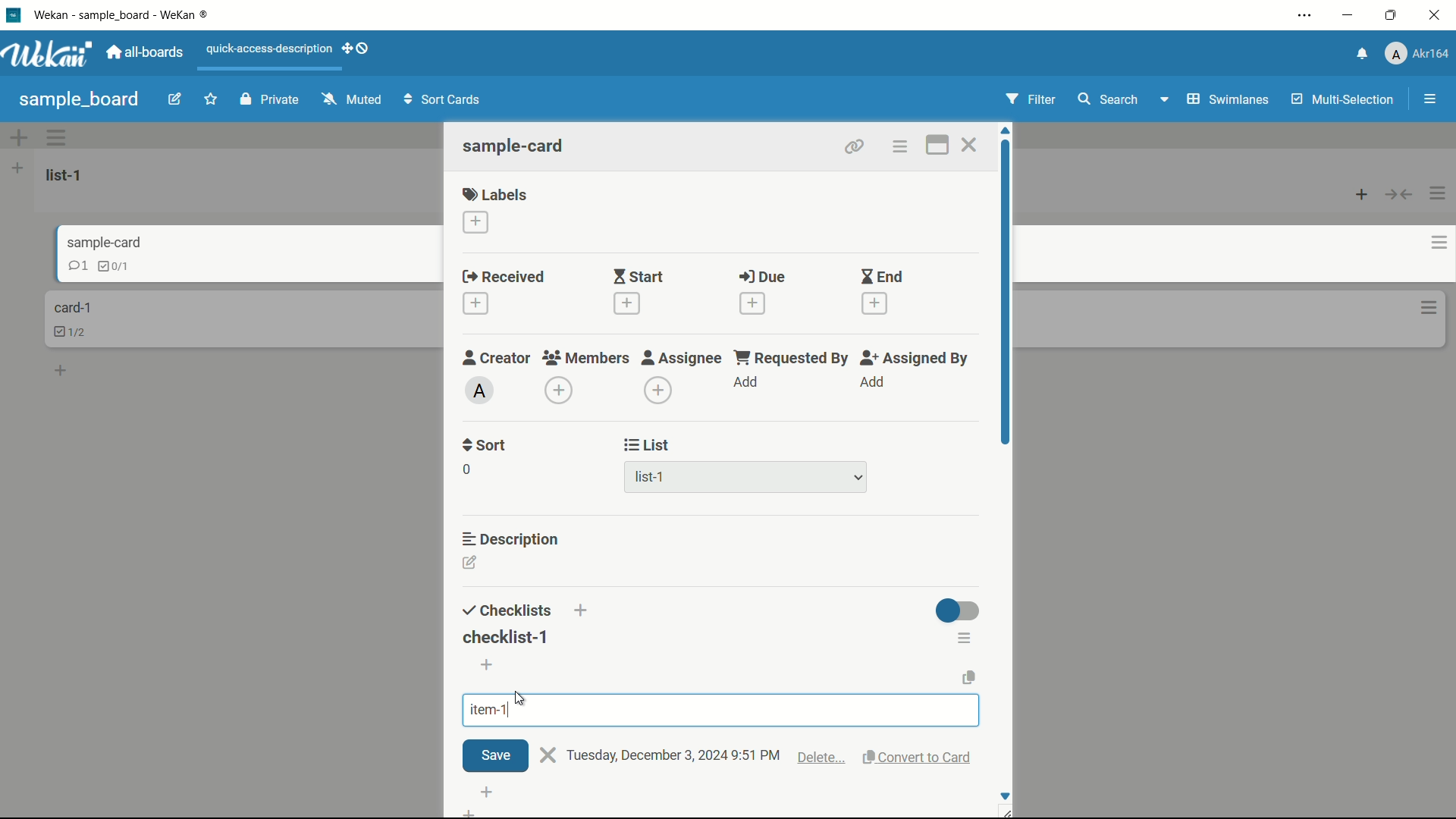 This screenshot has width=1456, height=819. Describe the element at coordinates (855, 147) in the screenshot. I see `copy link to clipboard` at that location.